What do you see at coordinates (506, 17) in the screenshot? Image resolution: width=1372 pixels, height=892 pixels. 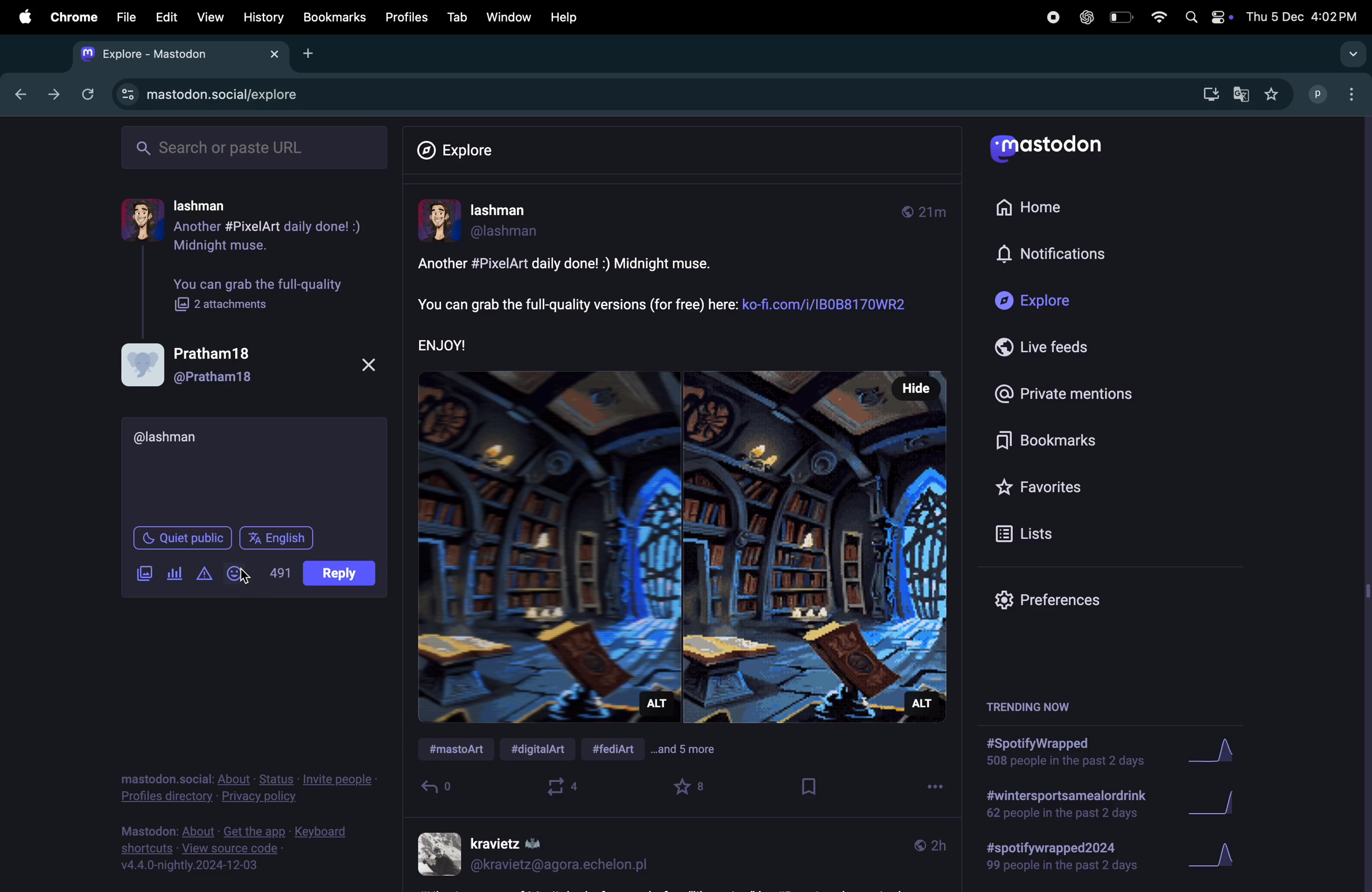 I see `Window` at bounding box center [506, 17].